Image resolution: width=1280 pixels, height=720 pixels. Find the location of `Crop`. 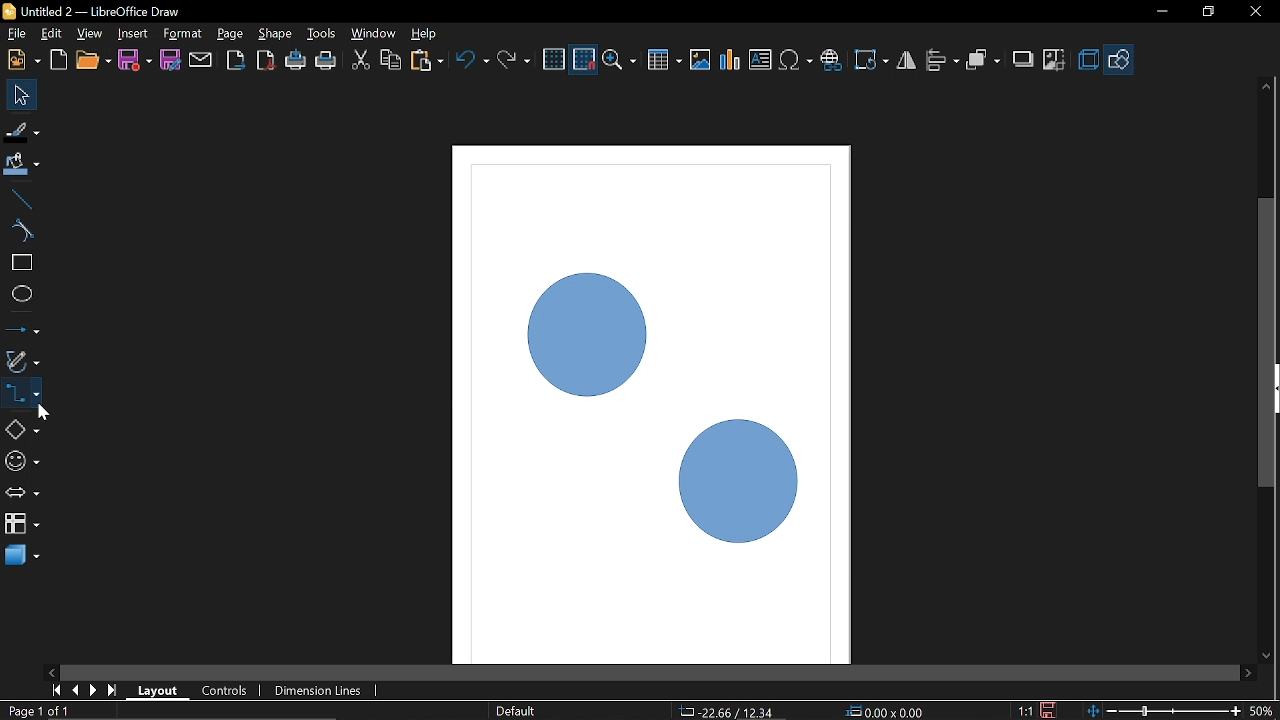

Crop is located at coordinates (1052, 60).